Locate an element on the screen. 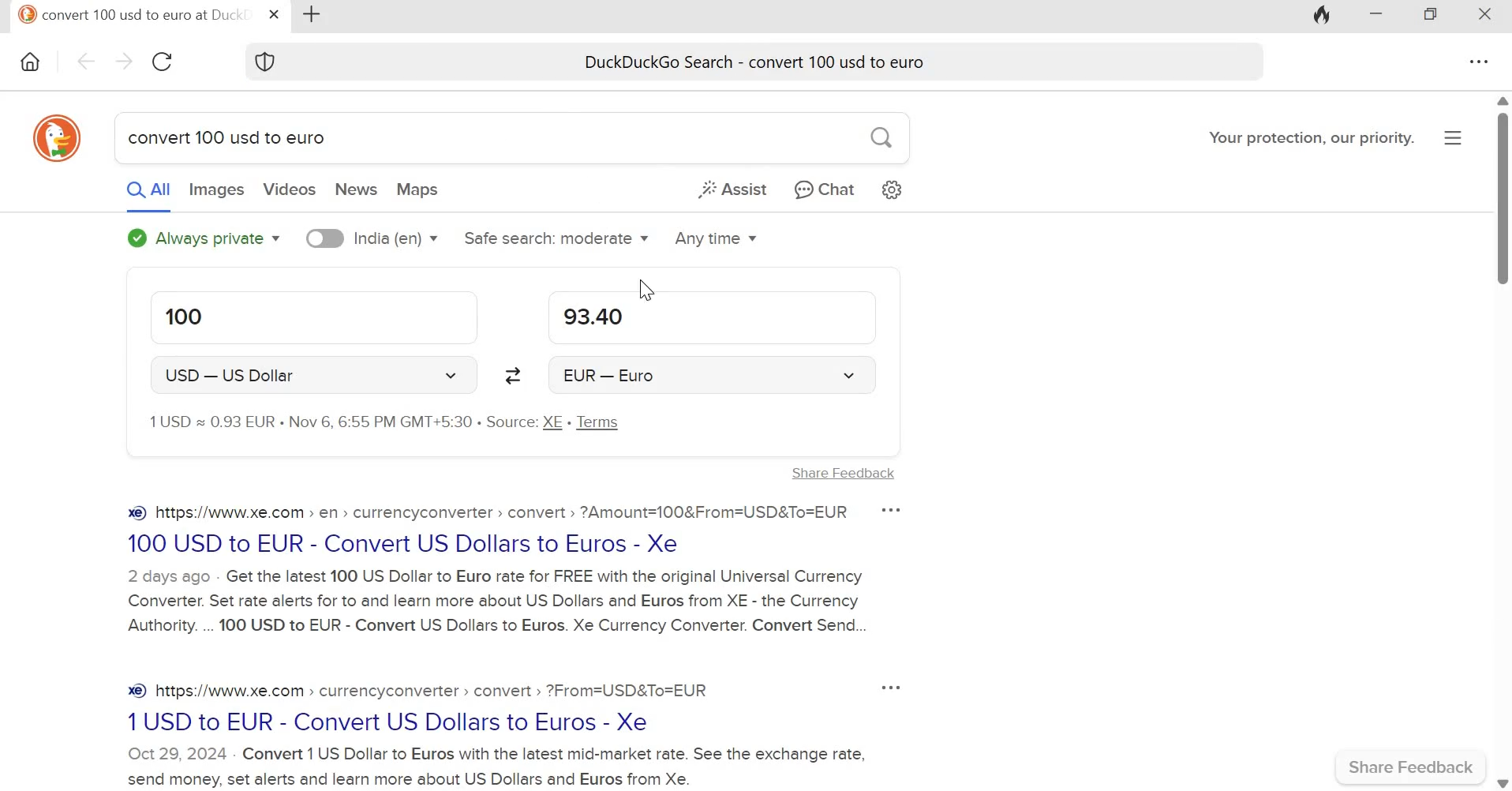 Image resolution: width=1512 pixels, height=791 pixels. Change currency is located at coordinates (516, 375).